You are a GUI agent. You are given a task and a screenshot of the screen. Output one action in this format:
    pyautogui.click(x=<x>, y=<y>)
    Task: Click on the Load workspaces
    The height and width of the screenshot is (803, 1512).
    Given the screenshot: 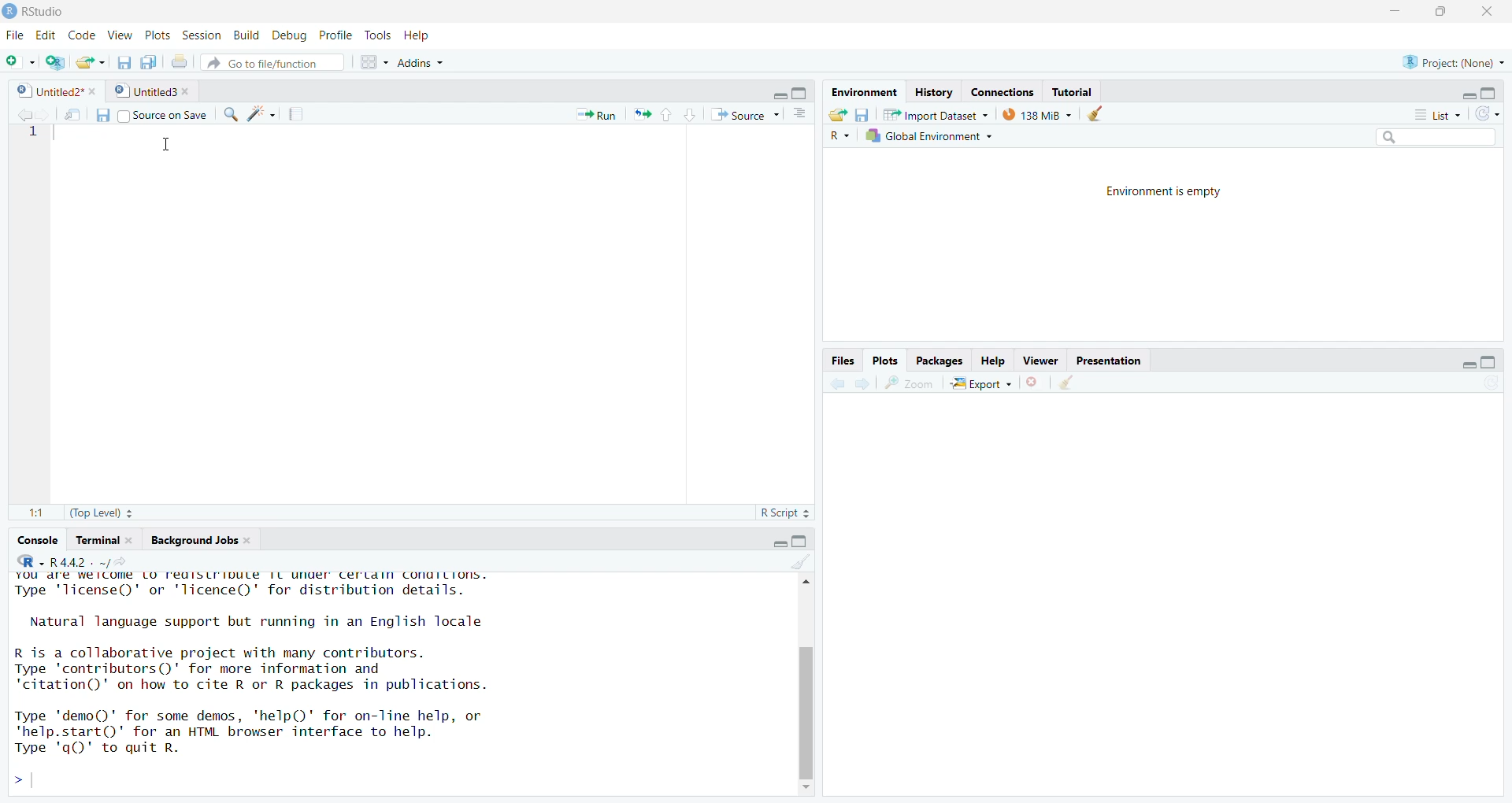 What is the action you would take?
    pyautogui.click(x=840, y=114)
    